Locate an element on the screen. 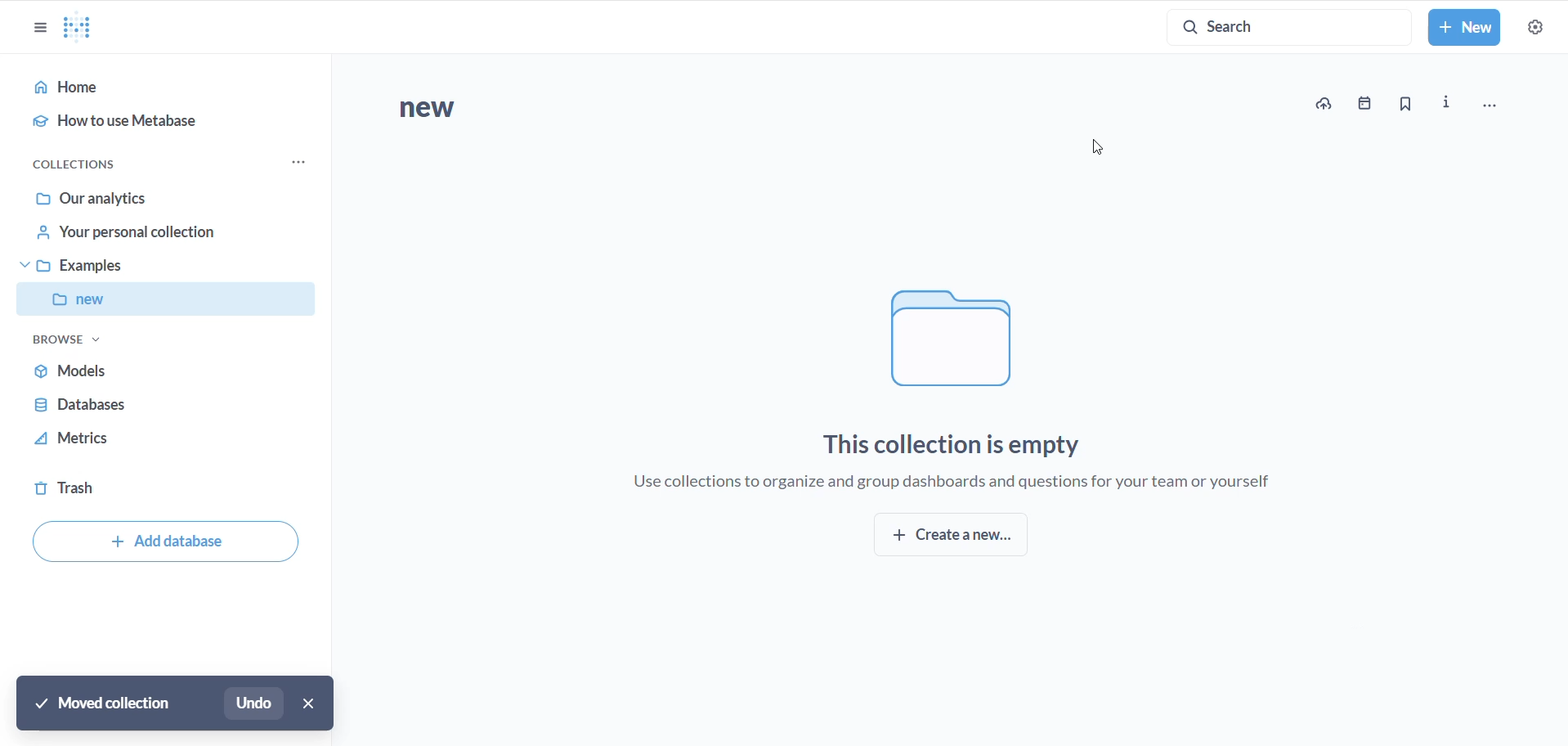 The image size is (1568, 746). UNDO is located at coordinates (258, 703).